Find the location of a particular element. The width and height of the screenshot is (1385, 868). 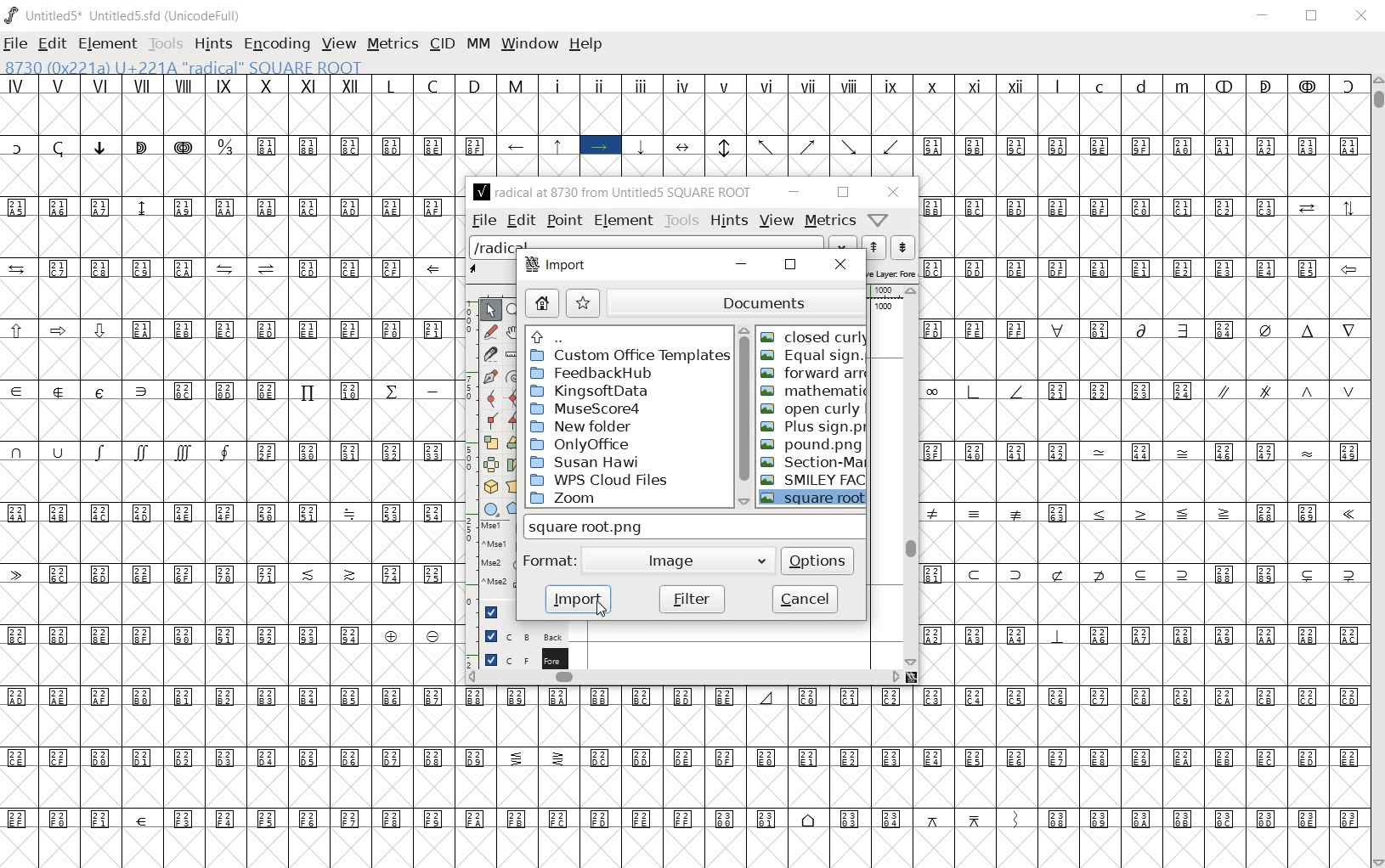

tools is located at coordinates (680, 219).